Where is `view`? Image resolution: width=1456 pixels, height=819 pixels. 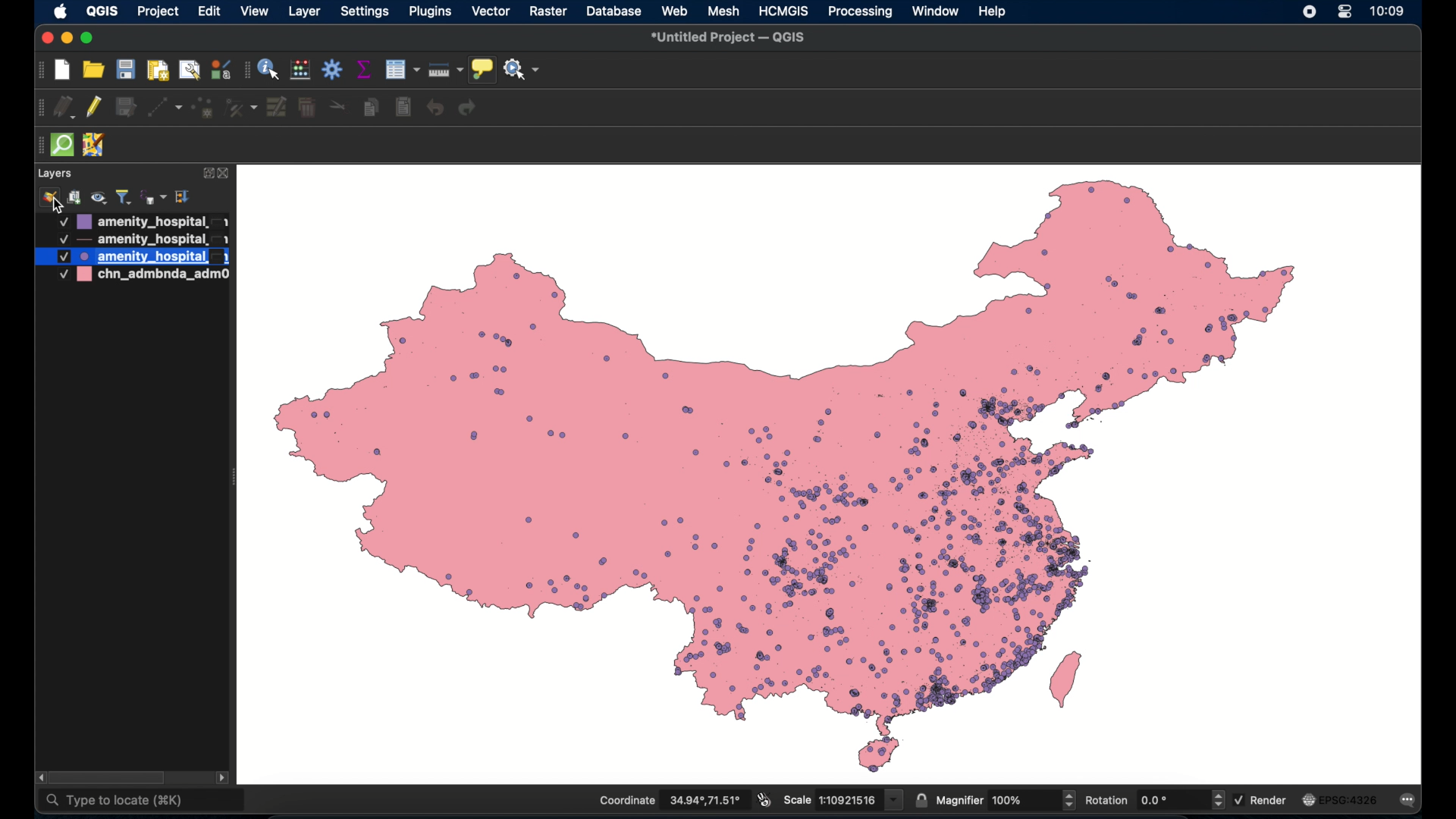
view is located at coordinates (255, 12).